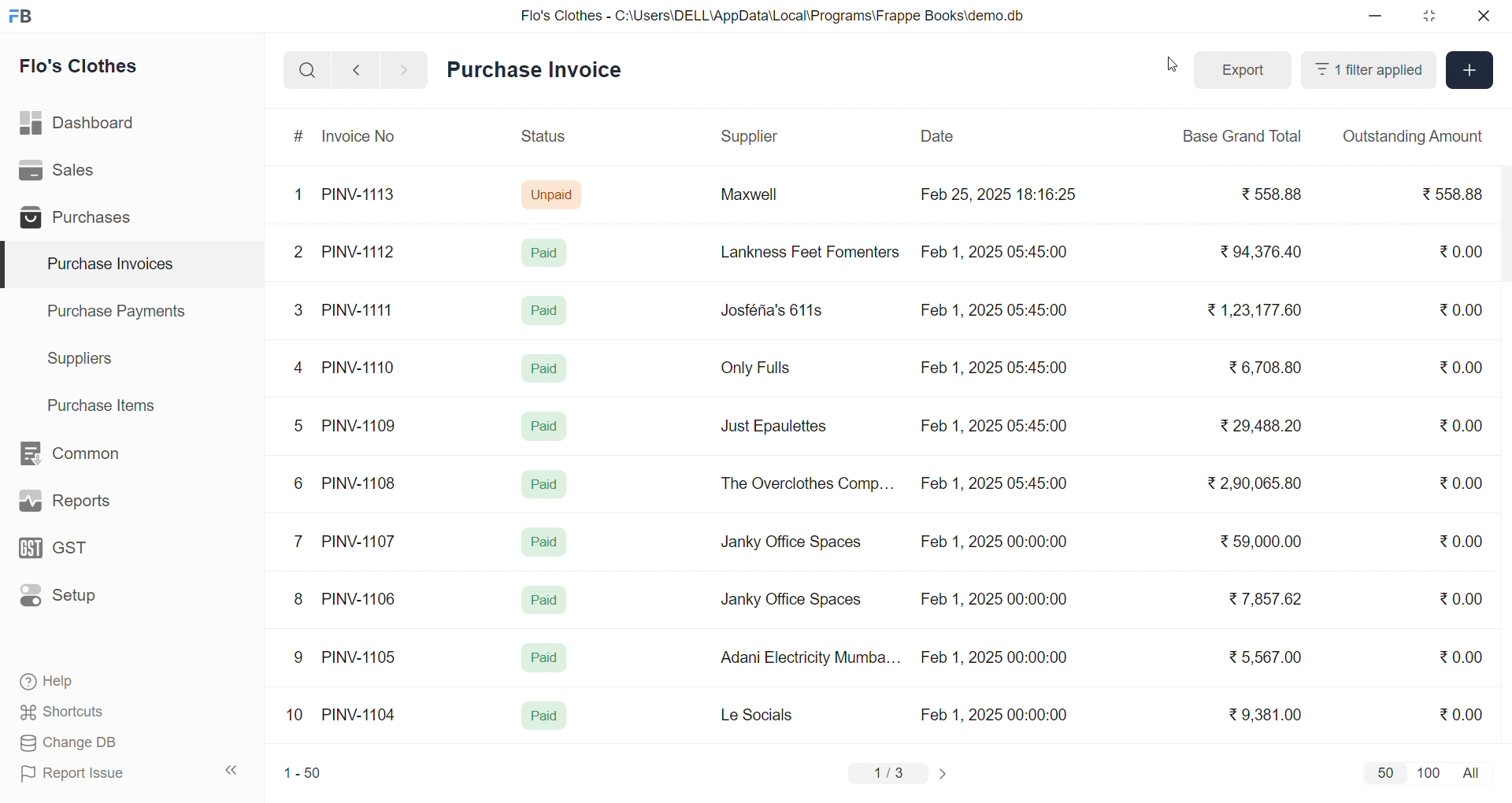 Image resolution: width=1512 pixels, height=803 pixels. What do you see at coordinates (83, 505) in the screenshot?
I see `Reports` at bounding box center [83, 505].